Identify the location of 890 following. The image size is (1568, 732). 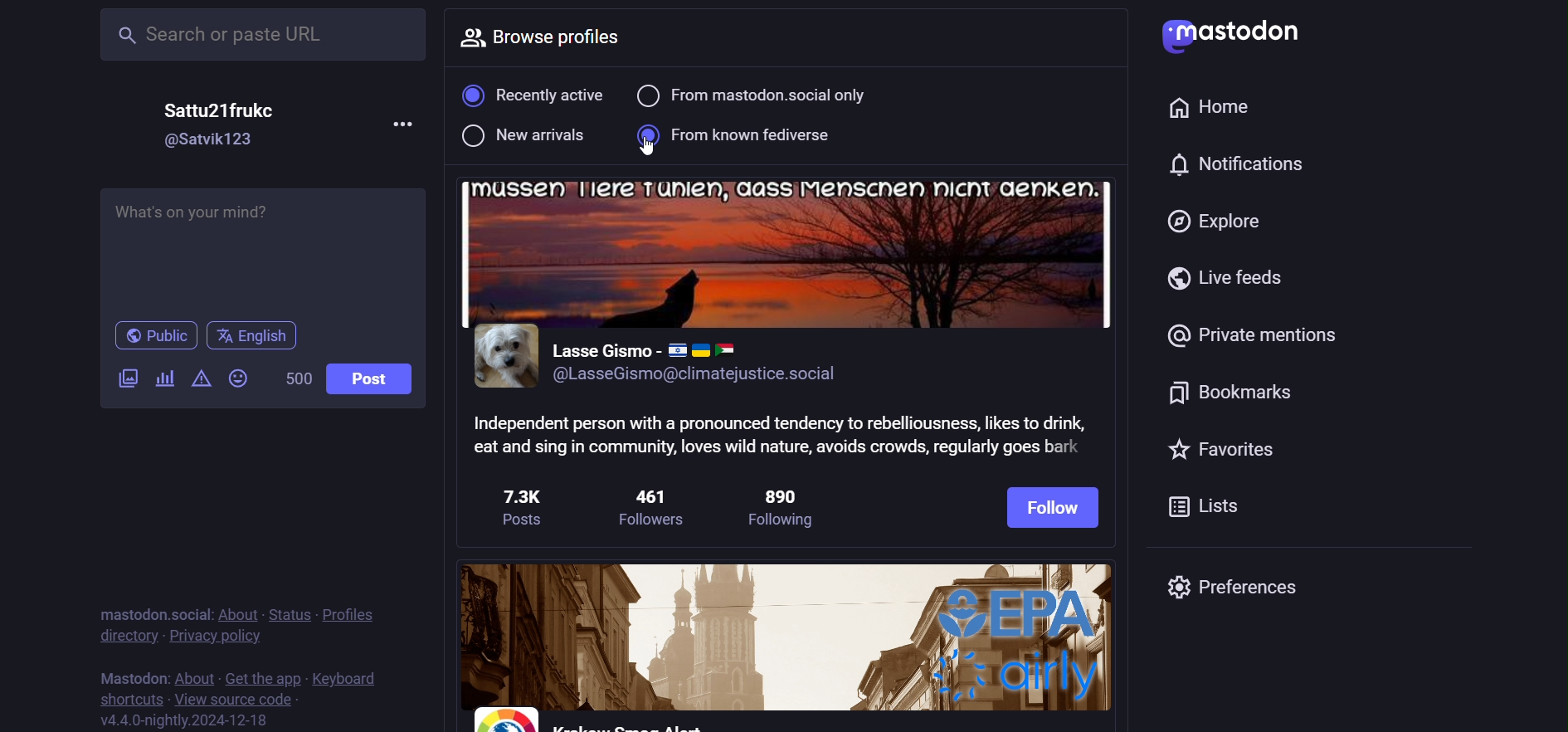
(785, 505).